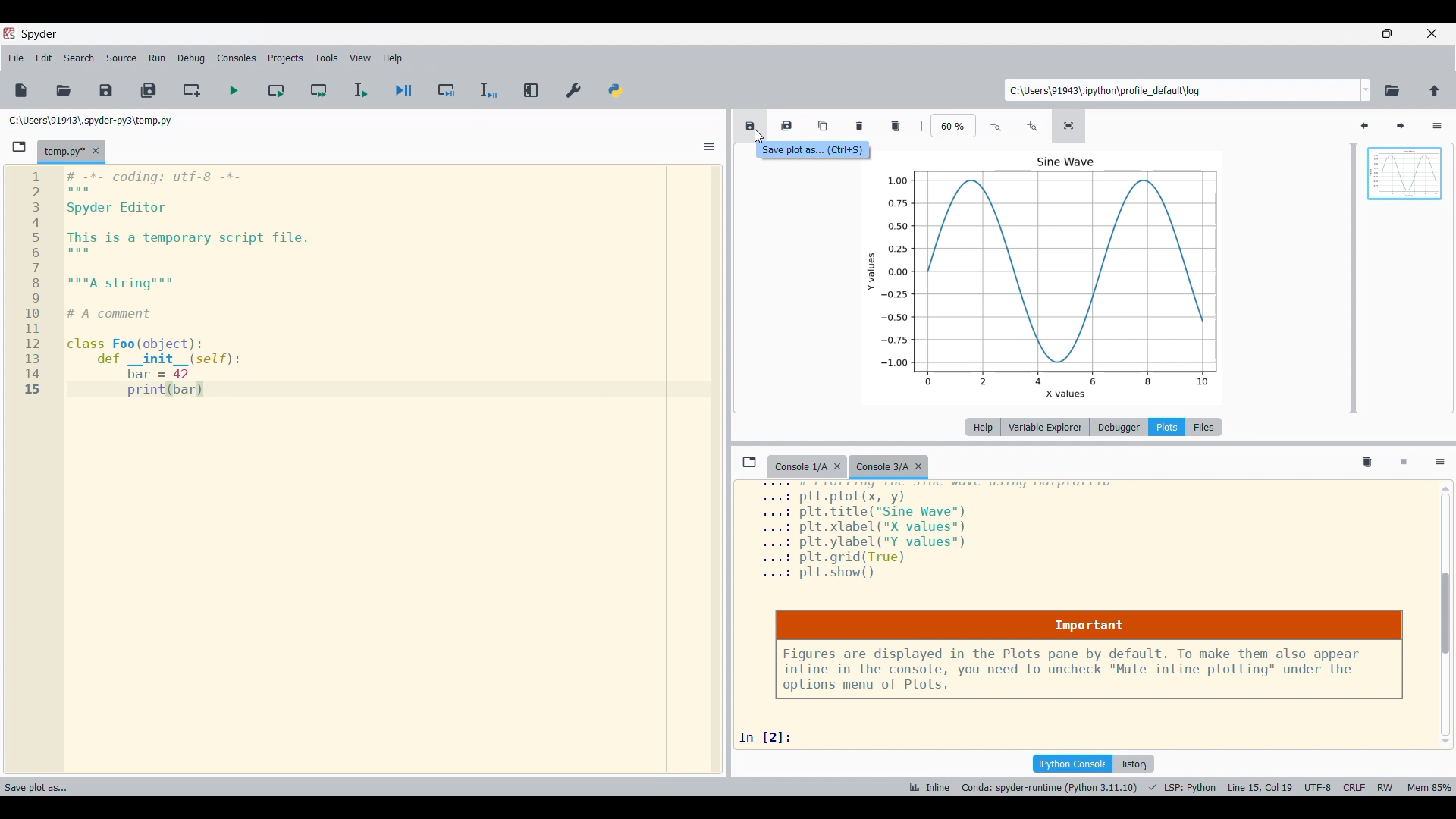  Describe the element at coordinates (20, 147) in the screenshot. I see `Browse tab` at that location.